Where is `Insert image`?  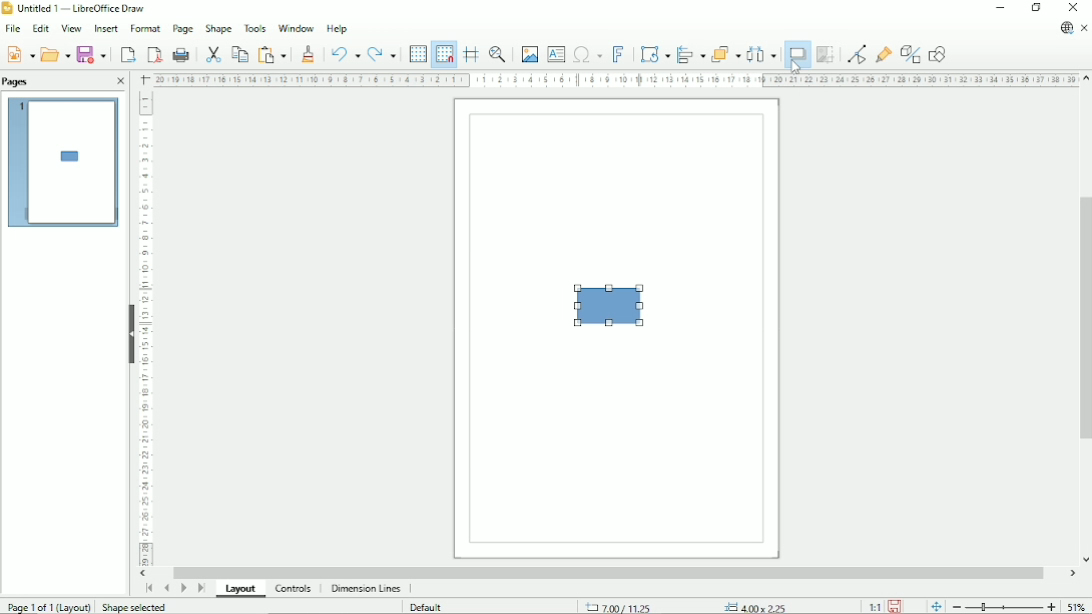
Insert image is located at coordinates (529, 54).